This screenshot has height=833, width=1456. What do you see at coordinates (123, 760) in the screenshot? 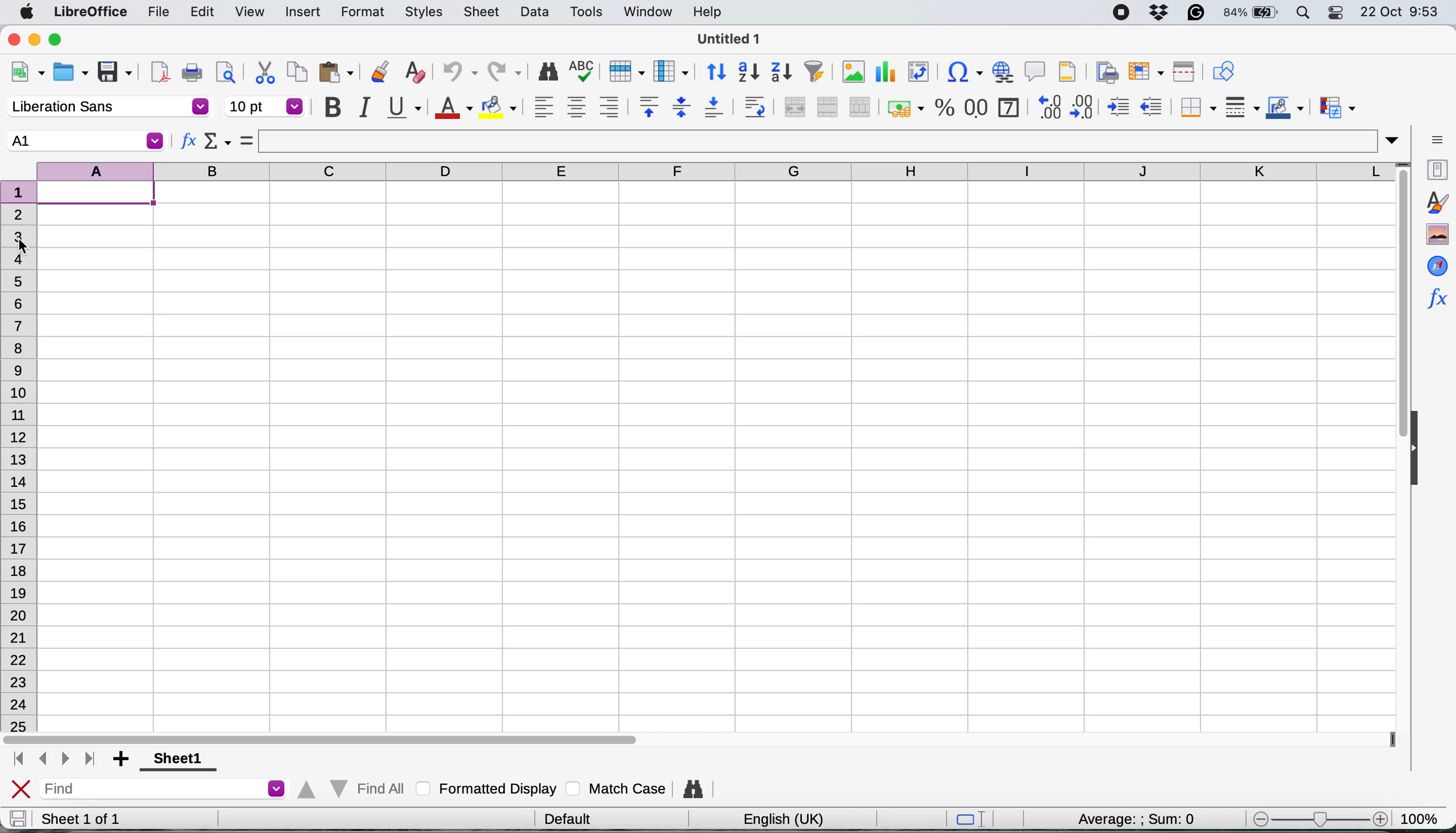
I see `add sheet` at bounding box center [123, 760].